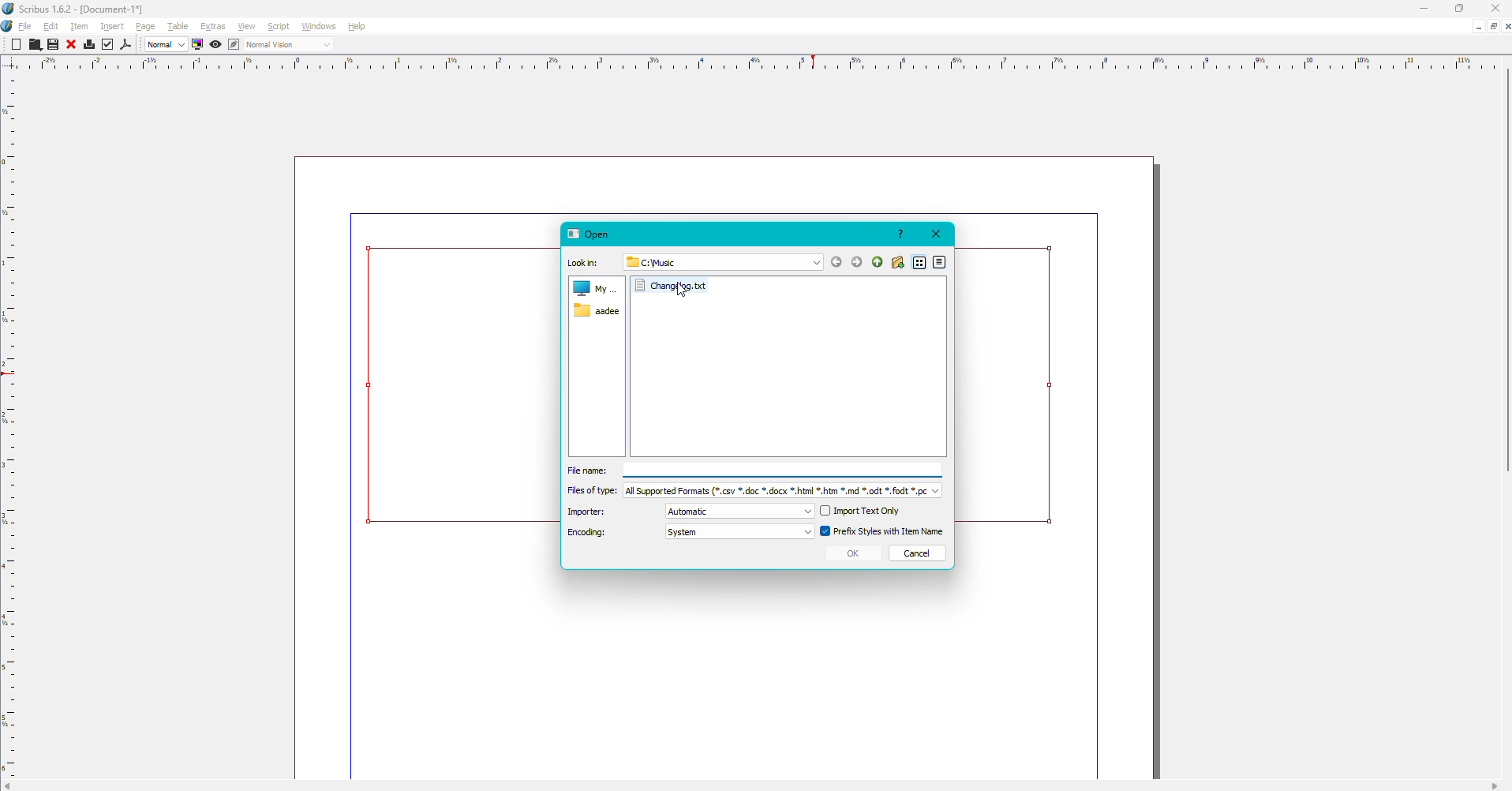 The width and height of the screenshot is (1512, 791). I want to click on Close, so click(1497, 9).